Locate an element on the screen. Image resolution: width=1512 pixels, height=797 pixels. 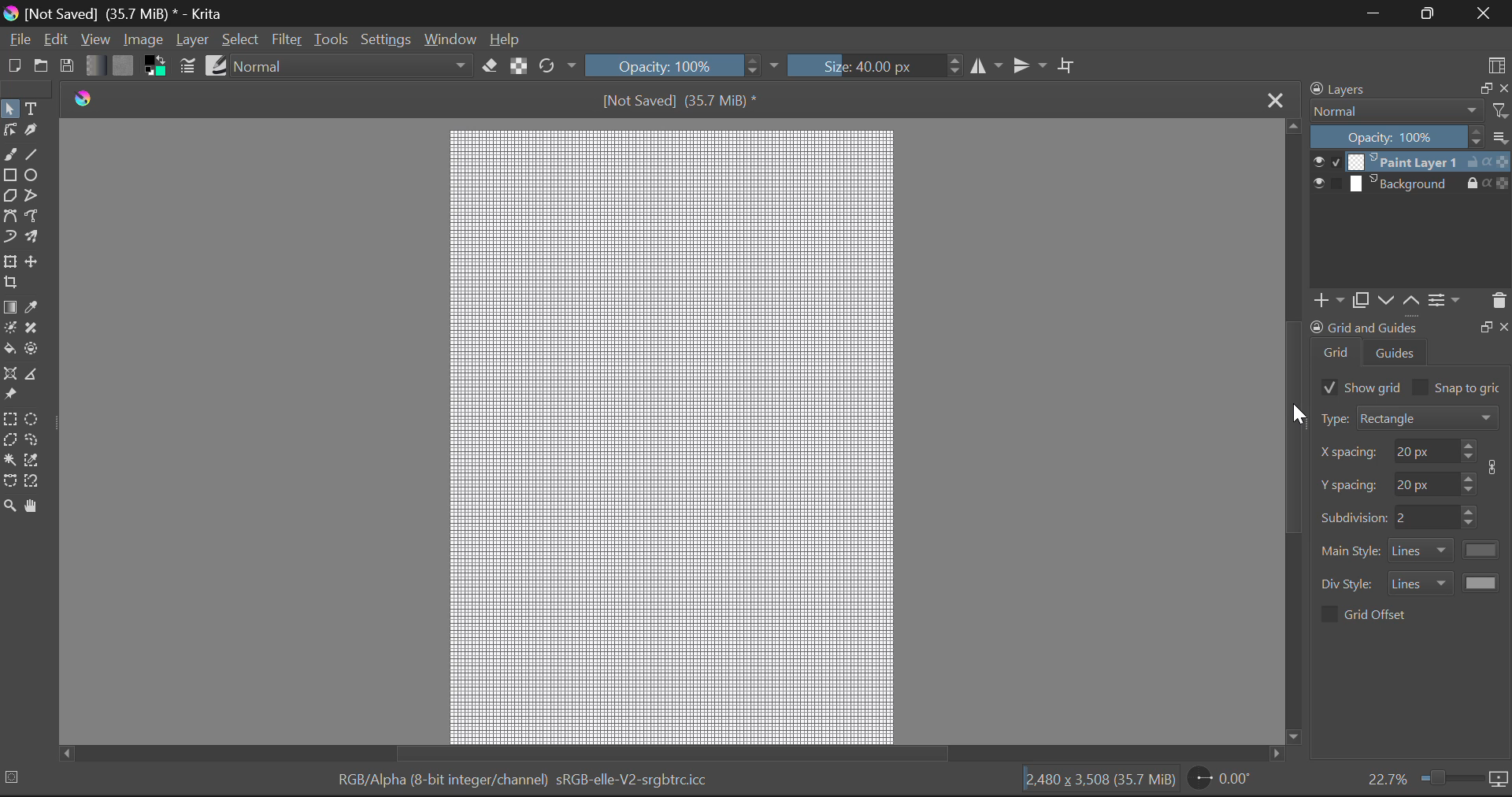
copy is located at coordinates (1359, 300).